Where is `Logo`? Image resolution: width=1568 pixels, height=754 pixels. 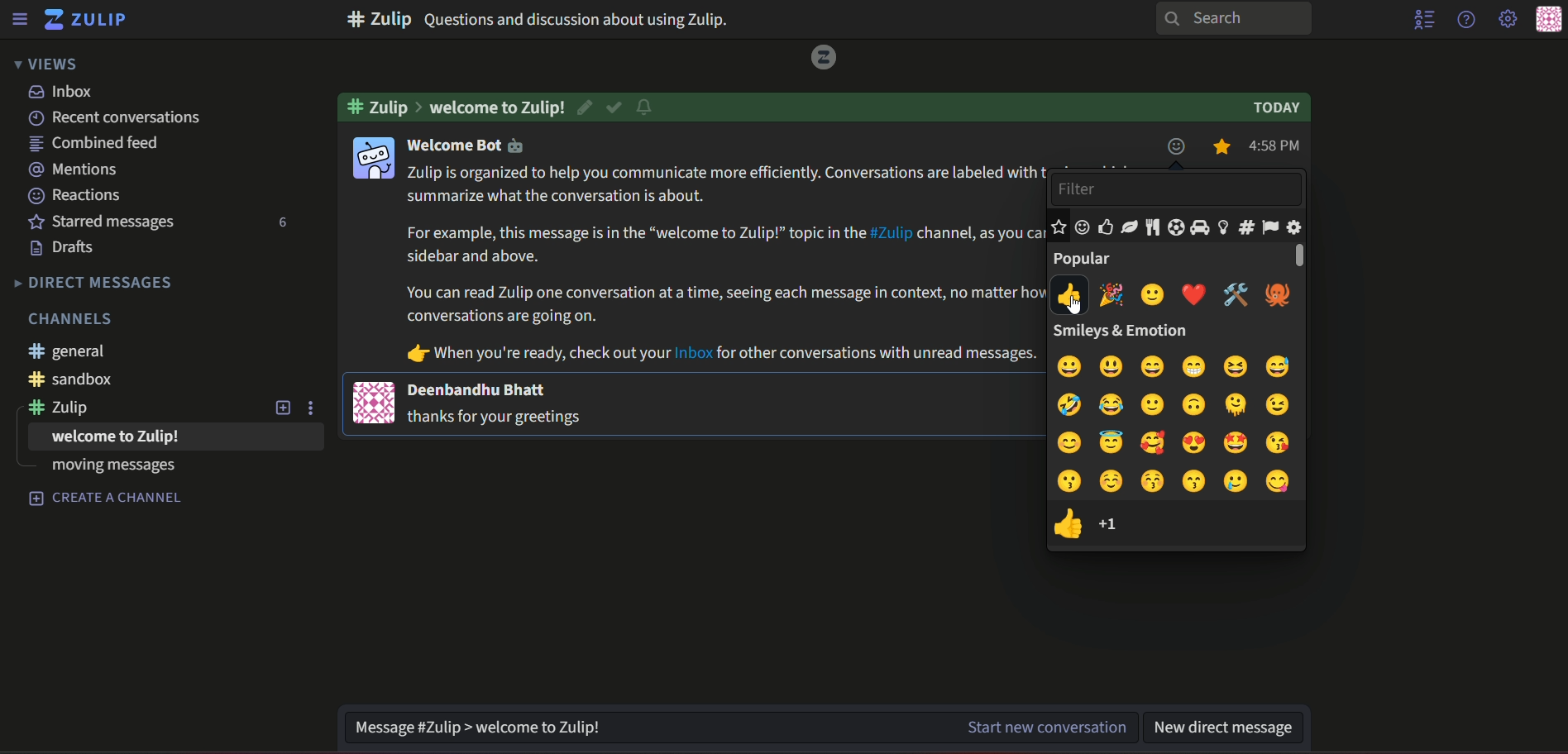
Logo is located at coordinates (825, 59).